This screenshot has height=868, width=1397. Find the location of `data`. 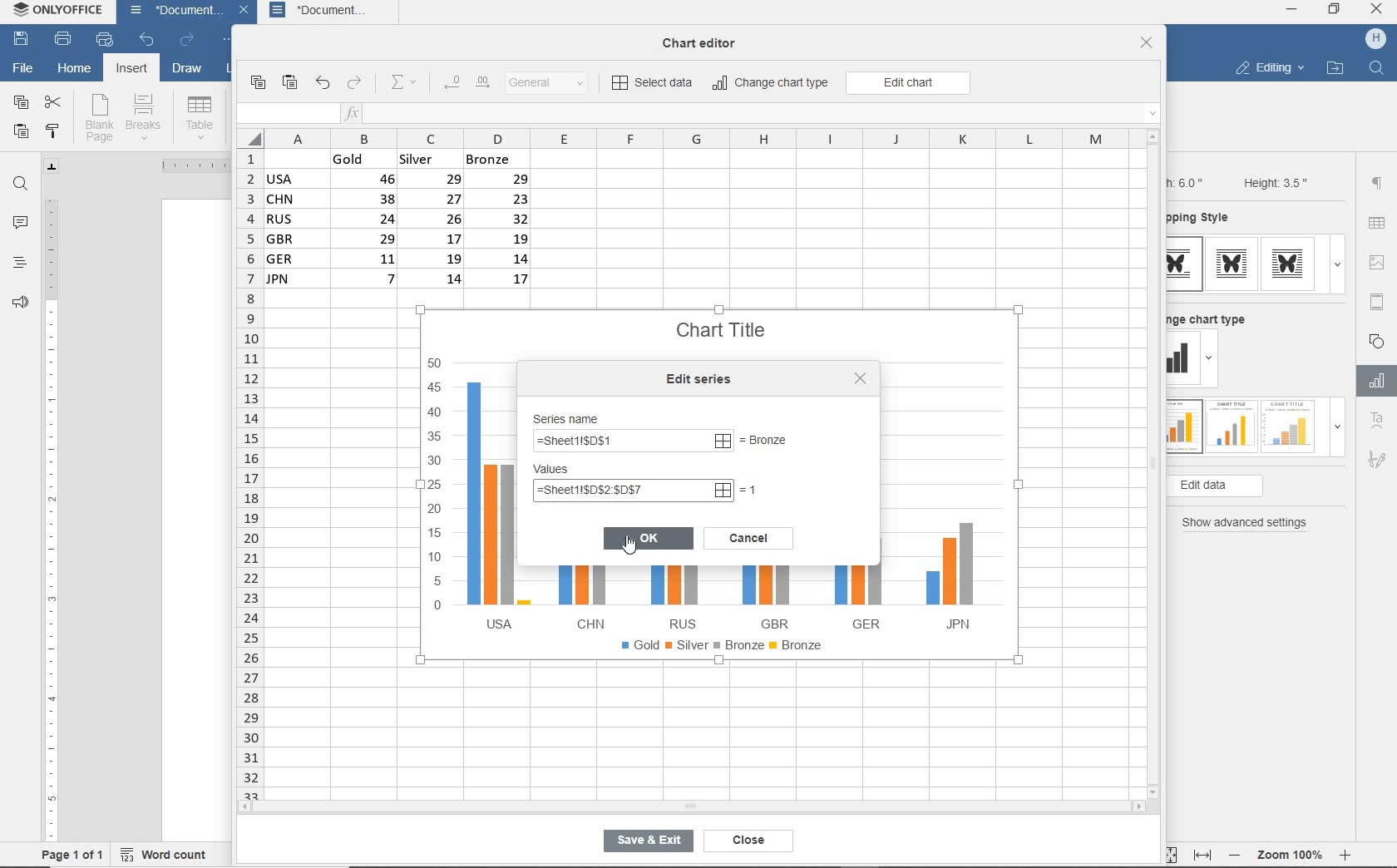

data is located at coordinates (405, 224).